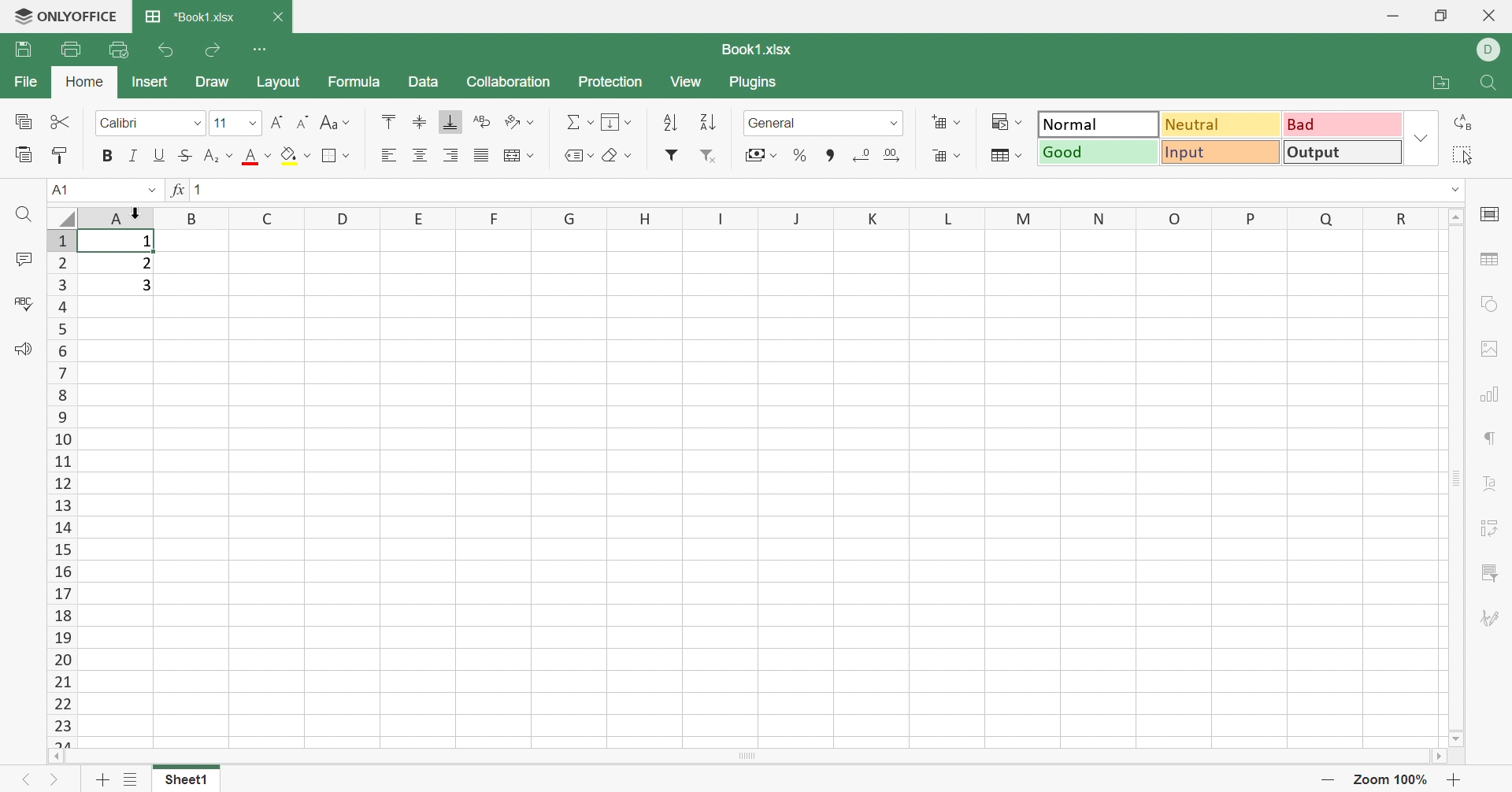 The image size is (1512, 792). What do you see at coordinates (1494, 528) in the screenshot?
I see `Pivot table settings` at bounding box center [1494, 528].